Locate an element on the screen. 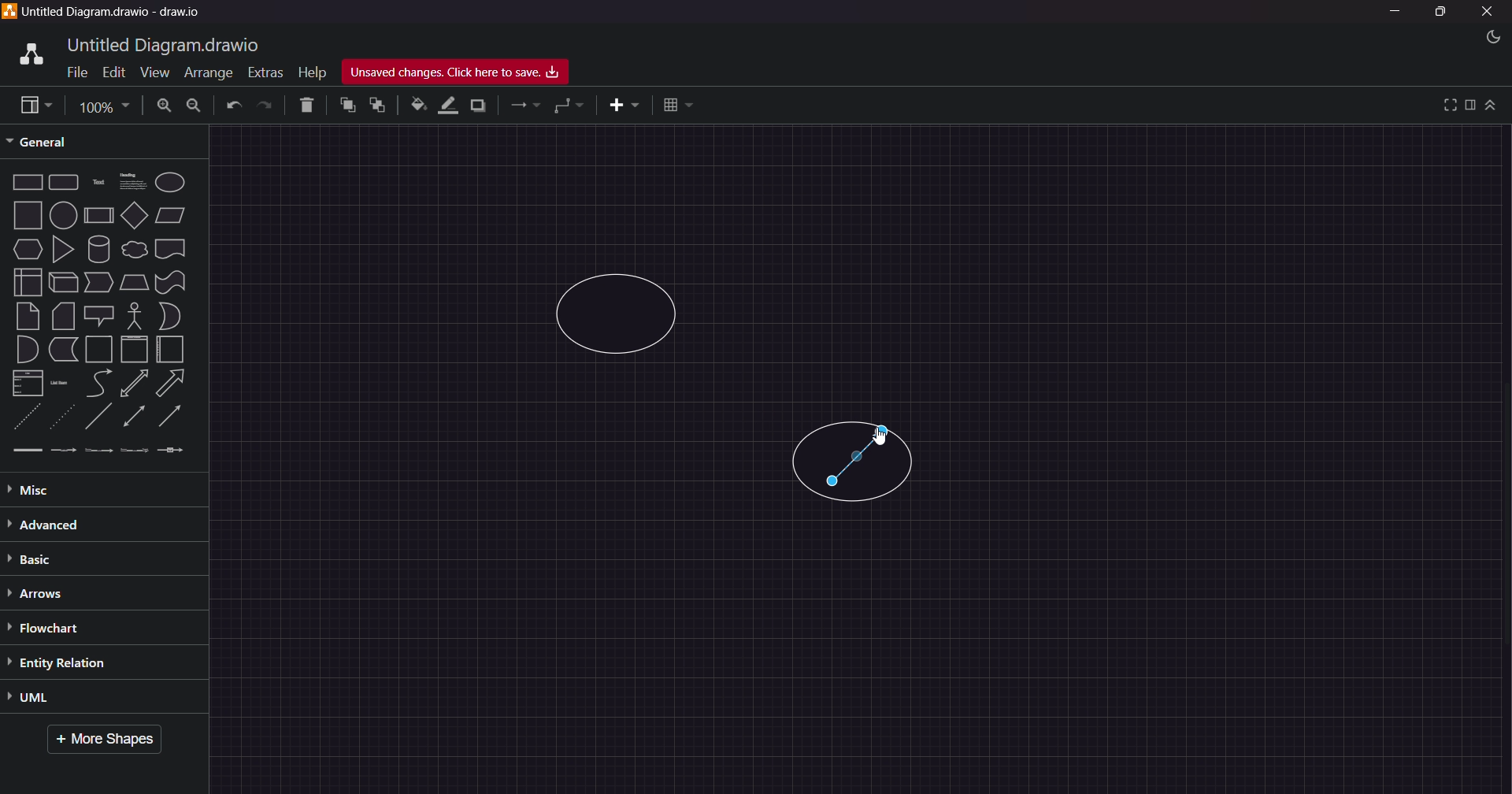 This screenshot has width=1512, height=794. Arrange is located at coordinates (205, 74).